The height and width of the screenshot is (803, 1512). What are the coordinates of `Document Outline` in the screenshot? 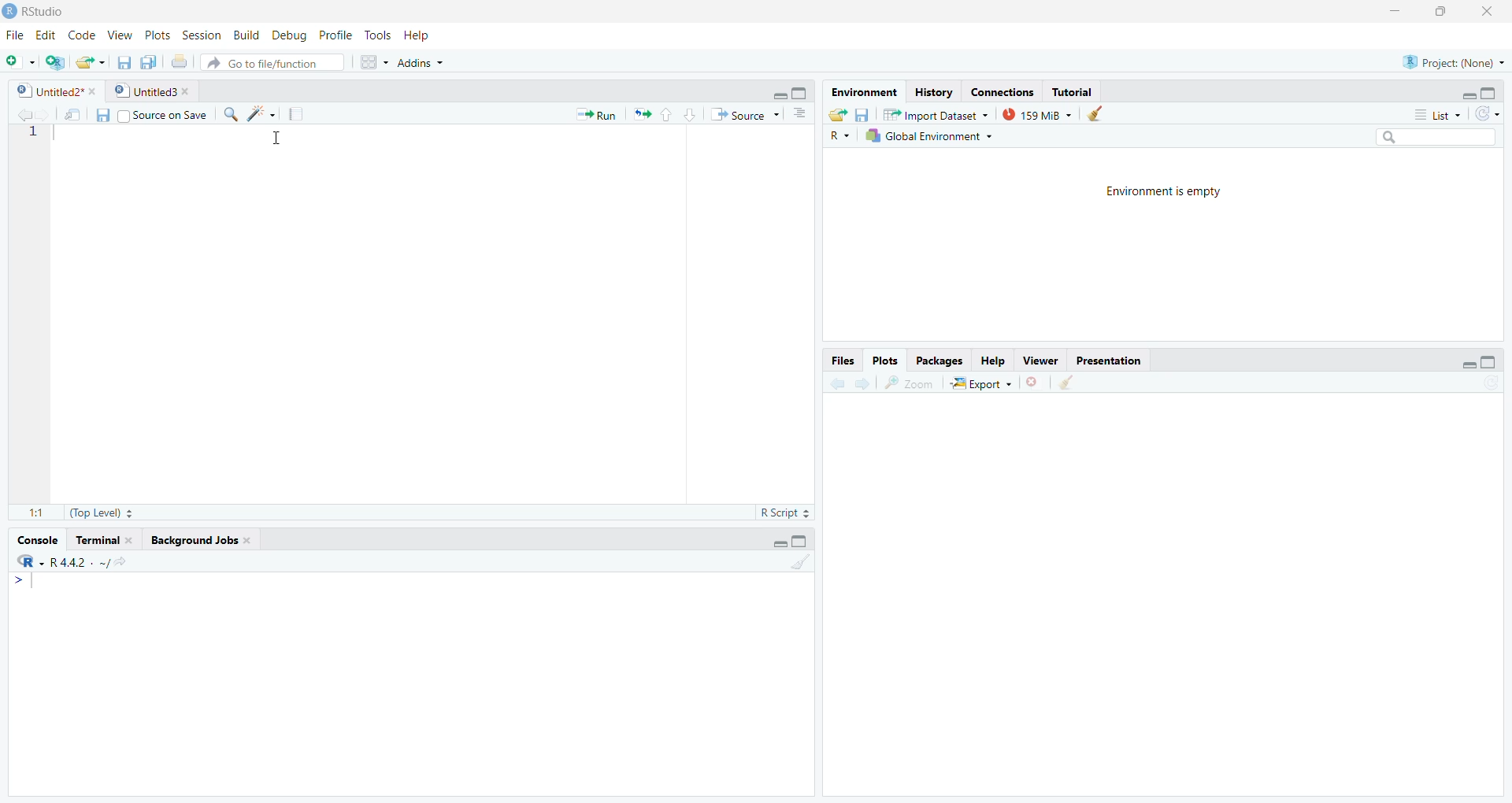 It's located at (799, 113).